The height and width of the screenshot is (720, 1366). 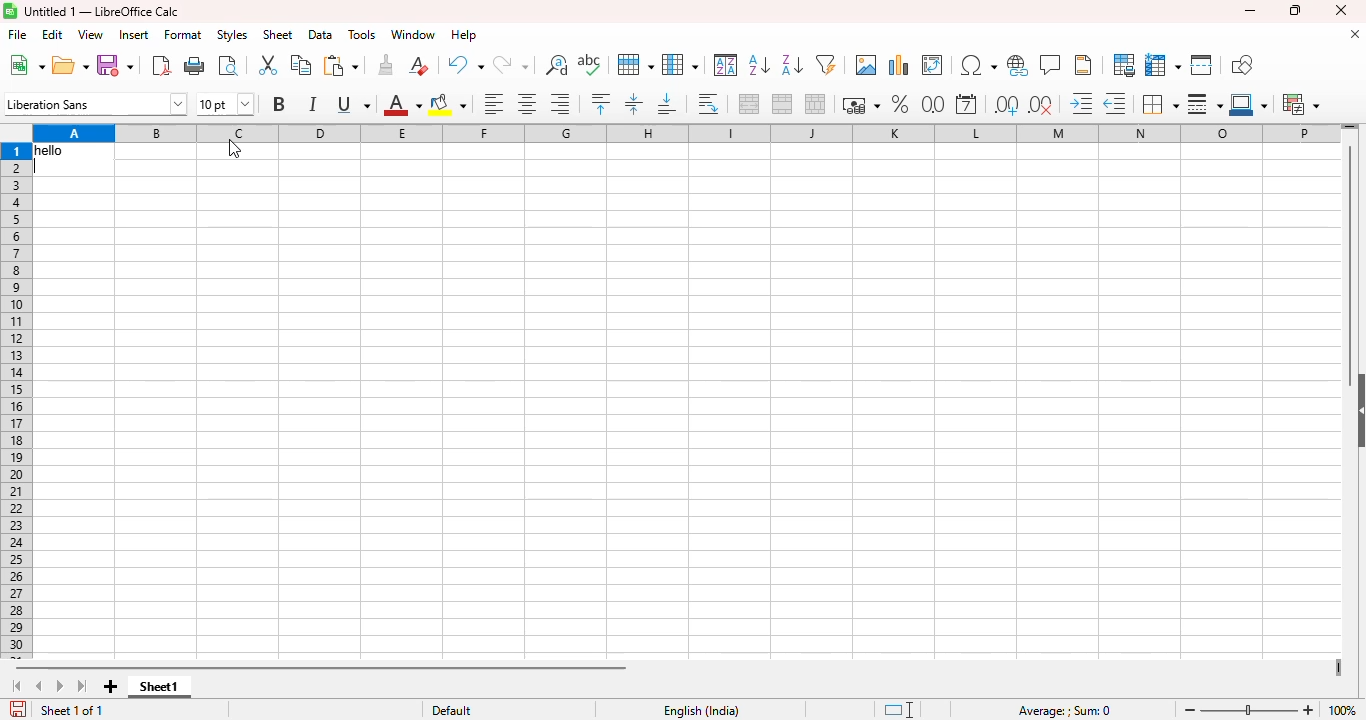 What do you see at coordinates (278, 34) in the screenshot?
I see `sheet` at bounding box center [278, 34].